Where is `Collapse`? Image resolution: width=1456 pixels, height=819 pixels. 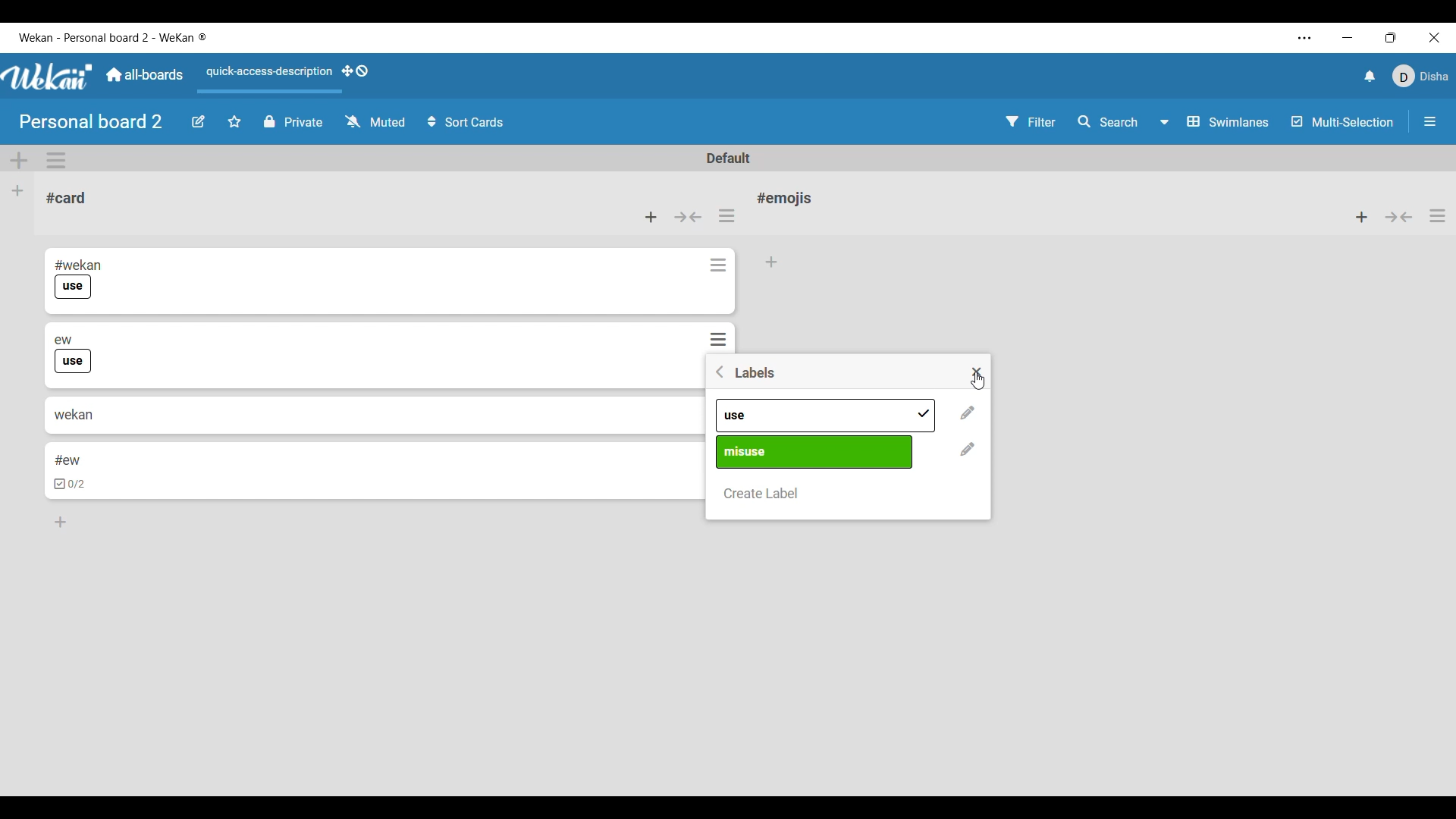
Collapse is located at coordinates (689, 217).